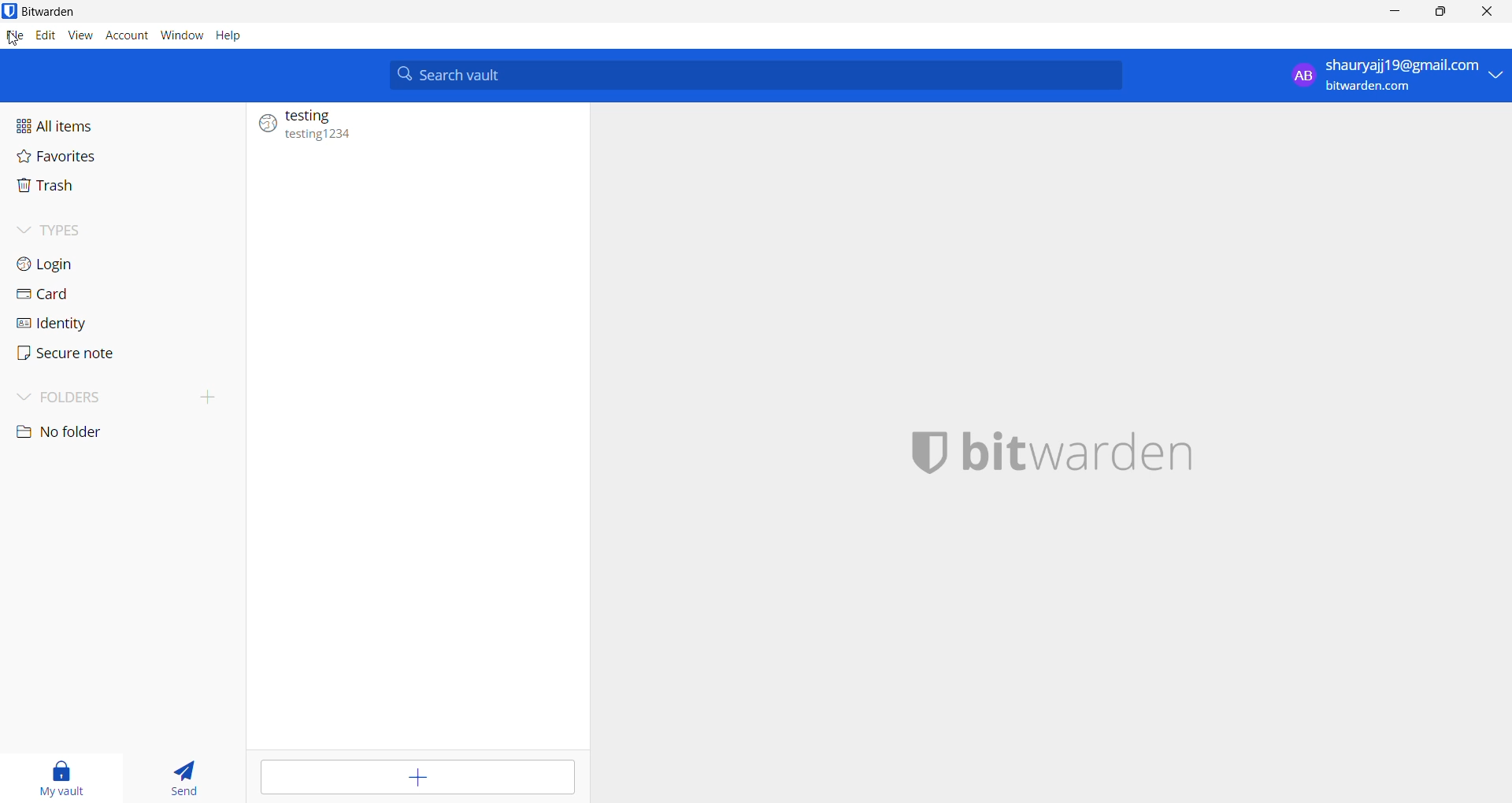 Image resolution: width=1512 pixels, height=803 pixels. Describe the element at coordinates (13, 41) in the screenshot. I see `cursor` at that location.